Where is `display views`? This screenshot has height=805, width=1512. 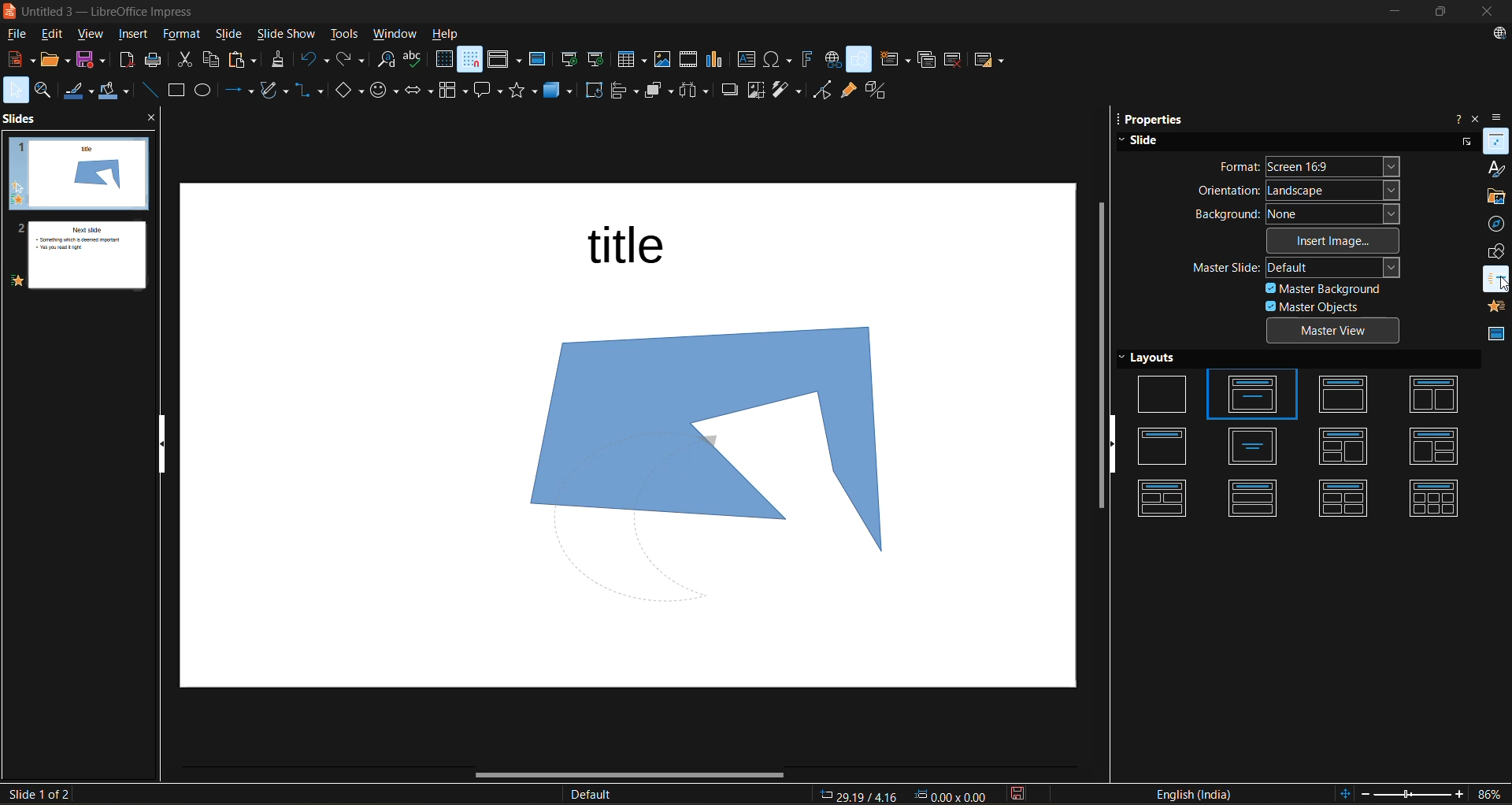 display views is located at coordinates (506, 61).